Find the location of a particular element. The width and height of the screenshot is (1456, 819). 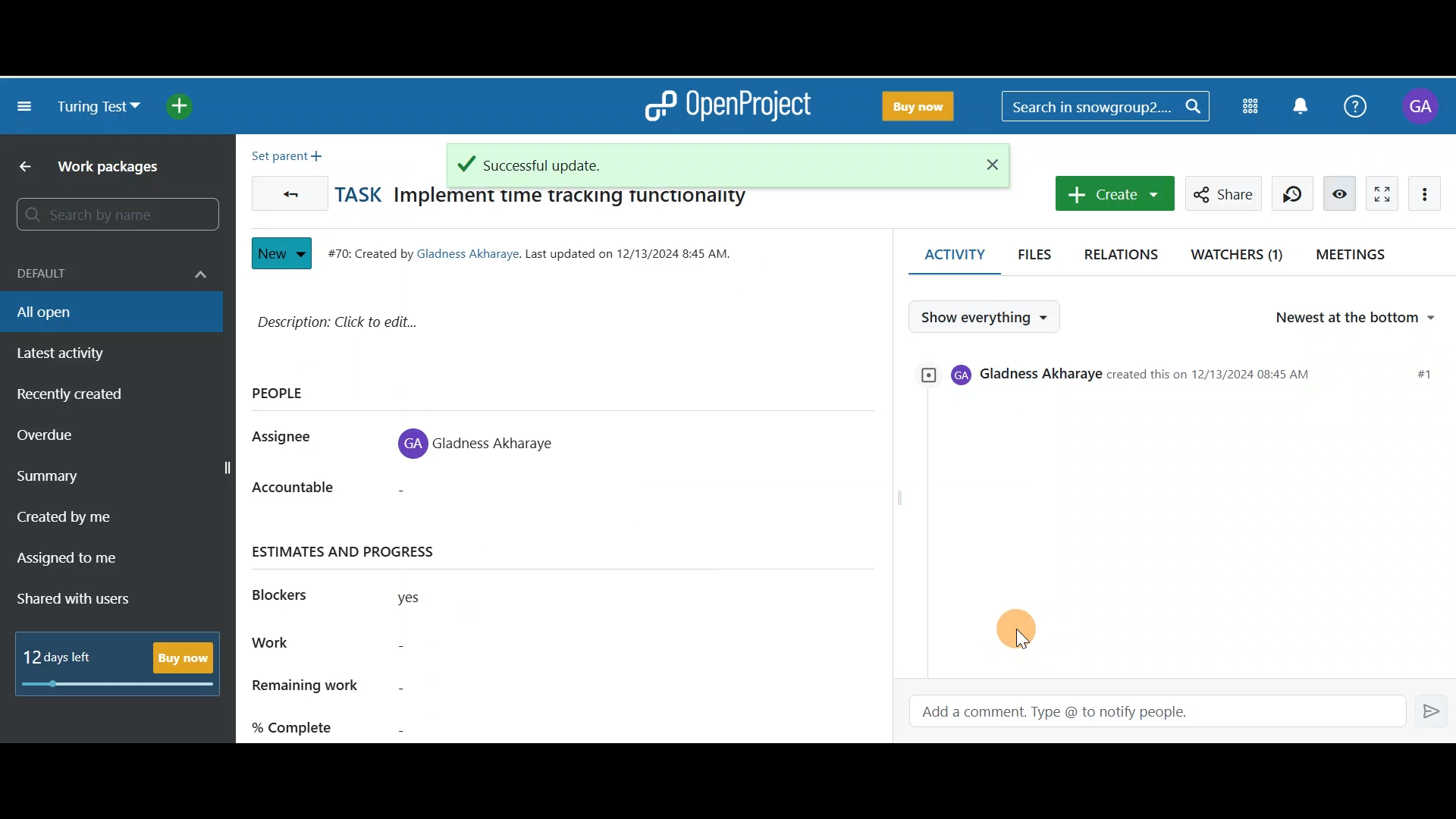

Implement time tracking functionality is located at coordinates (575, 201).